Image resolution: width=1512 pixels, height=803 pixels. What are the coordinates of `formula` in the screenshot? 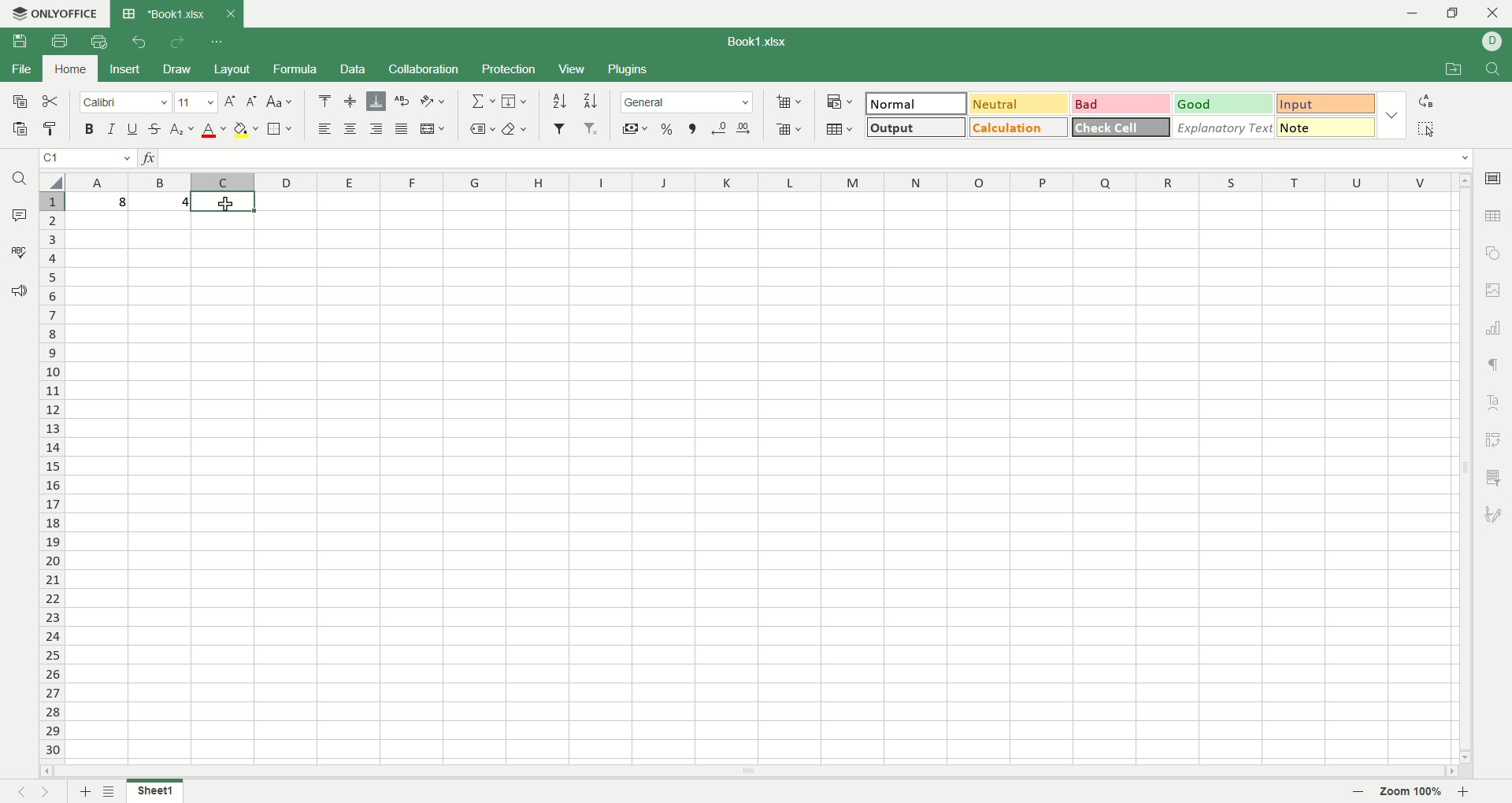 It's located at (296, 69).